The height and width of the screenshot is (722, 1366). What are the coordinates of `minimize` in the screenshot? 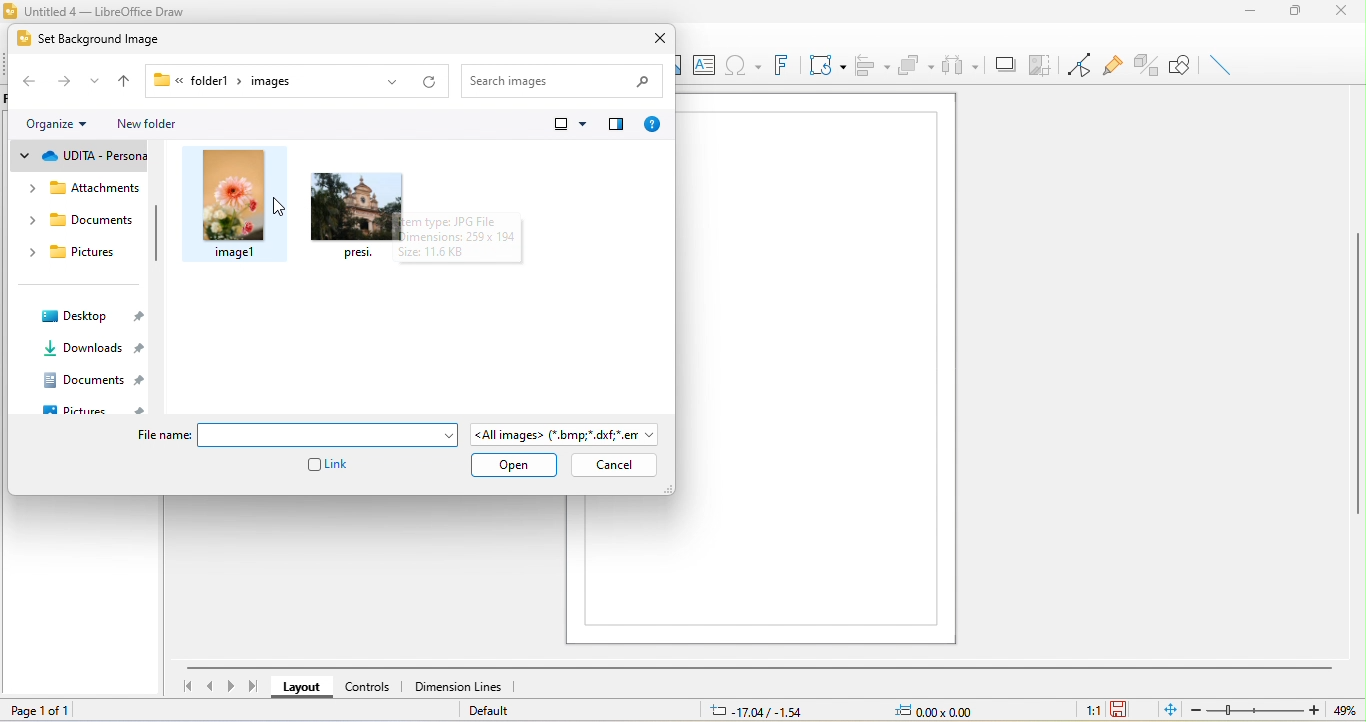 It's located at (1255, 12).